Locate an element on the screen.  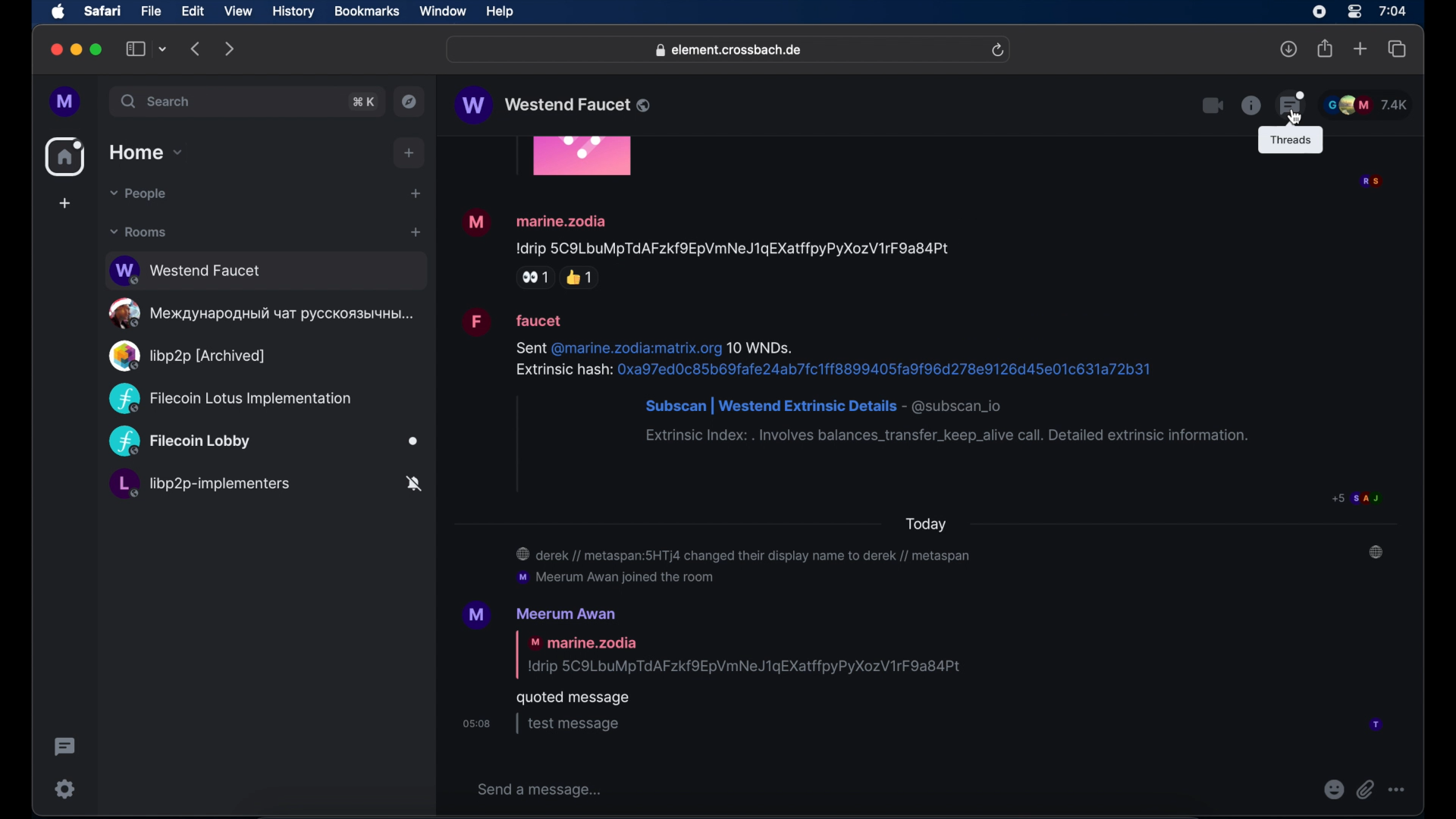
today is located at coordinates (928, 525).